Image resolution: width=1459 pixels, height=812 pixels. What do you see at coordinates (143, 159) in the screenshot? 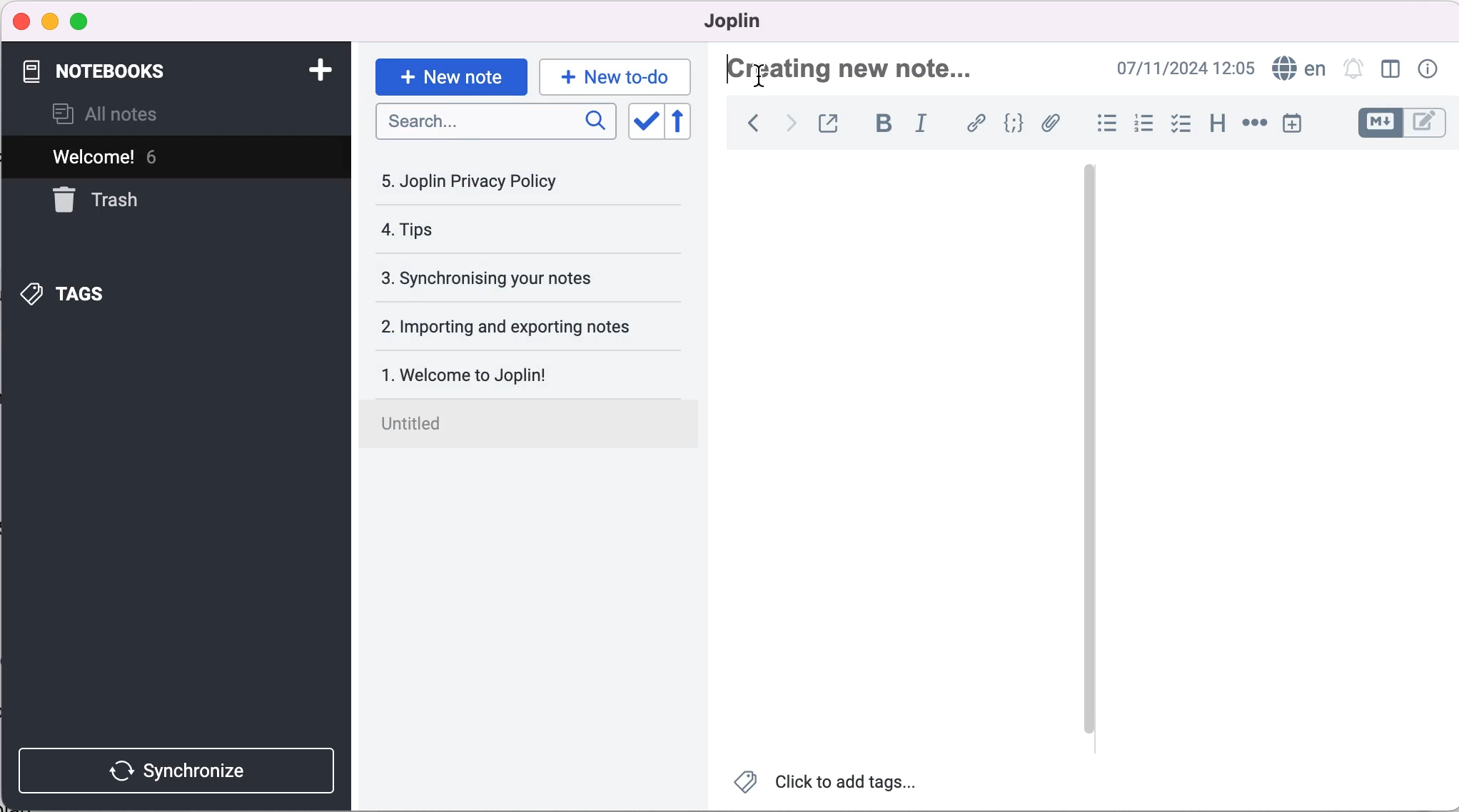
I see `Welcome! 6` at bounding box center [143, 159].